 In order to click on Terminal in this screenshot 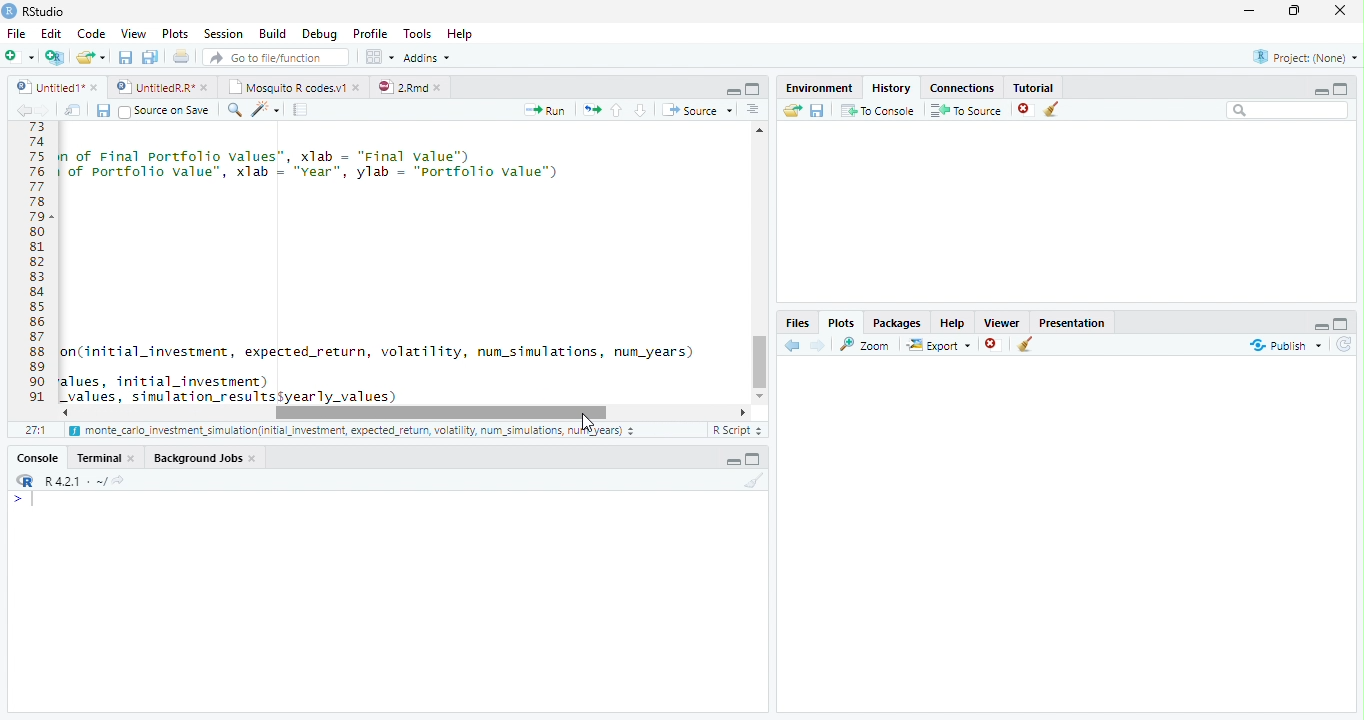, I will do `click(107, 457)`.